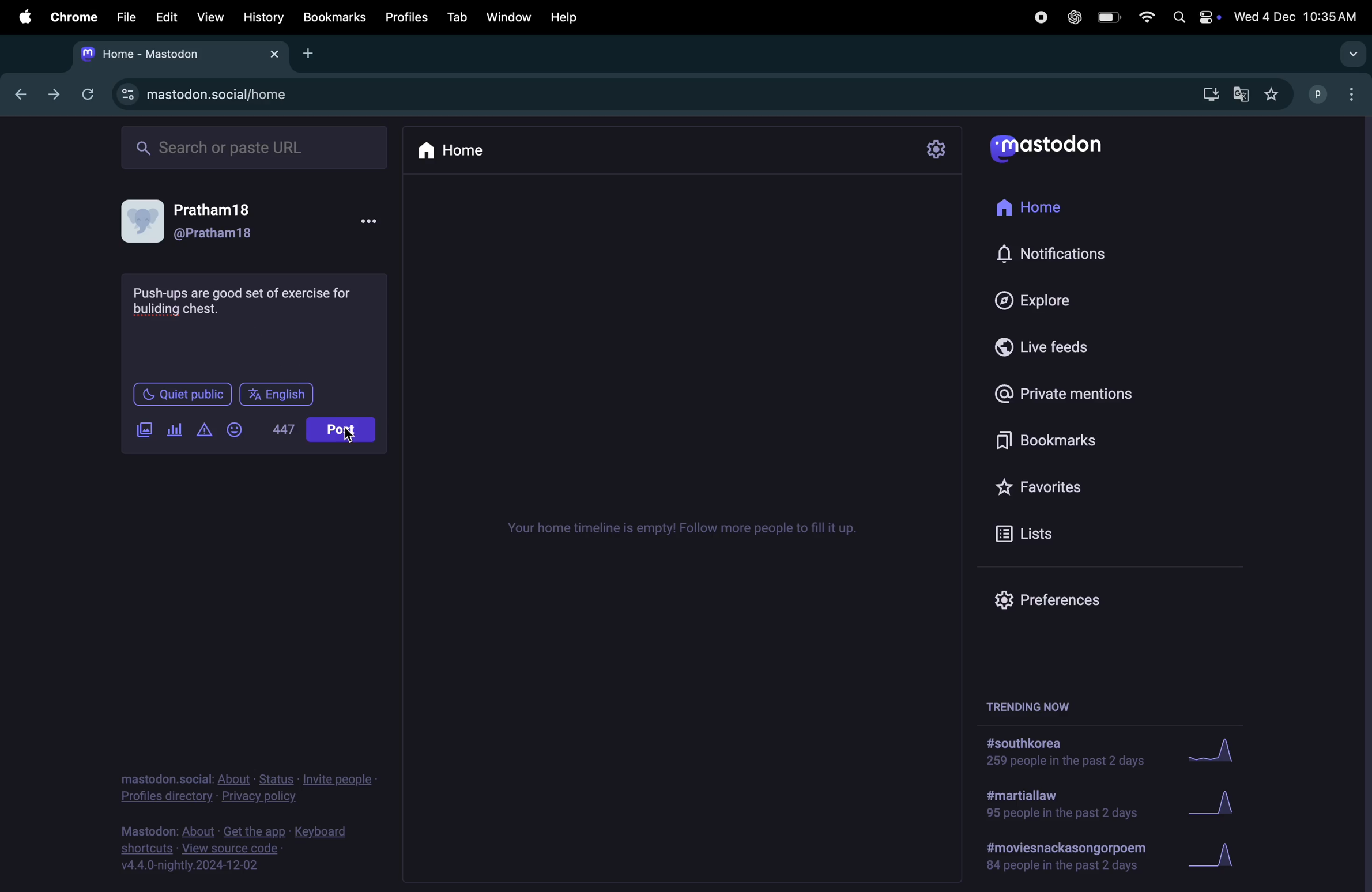 The height and width of the screenshot is (892, 1372). Describe the element at coordinates (1042, 345) in the screenshot. I see `Live feeds` at that location.